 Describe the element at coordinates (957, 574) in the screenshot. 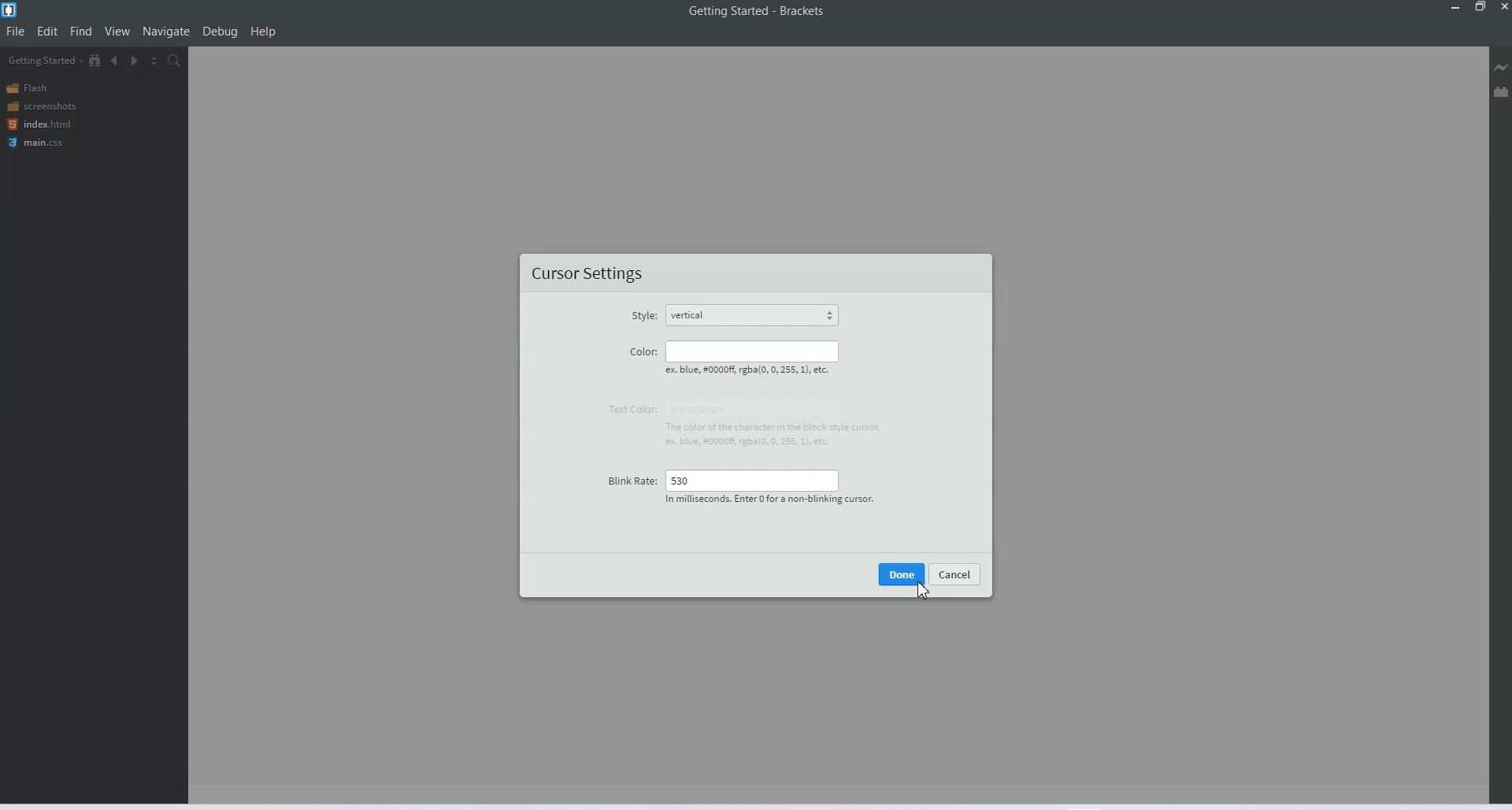

I see `Cancel` at that location.